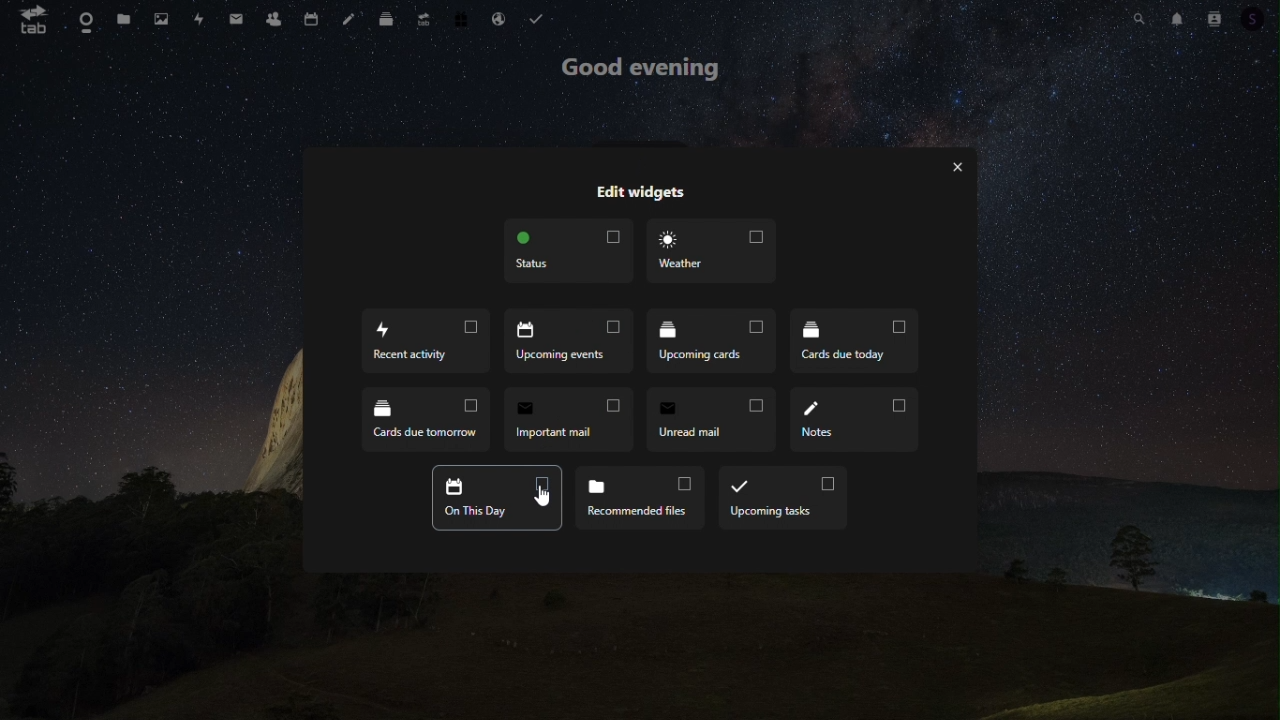 The height and width of the screenshot is (720, 1280). Describe the element at coordinates (272, 19) in the screenshot. I see `Contacts` at that location.